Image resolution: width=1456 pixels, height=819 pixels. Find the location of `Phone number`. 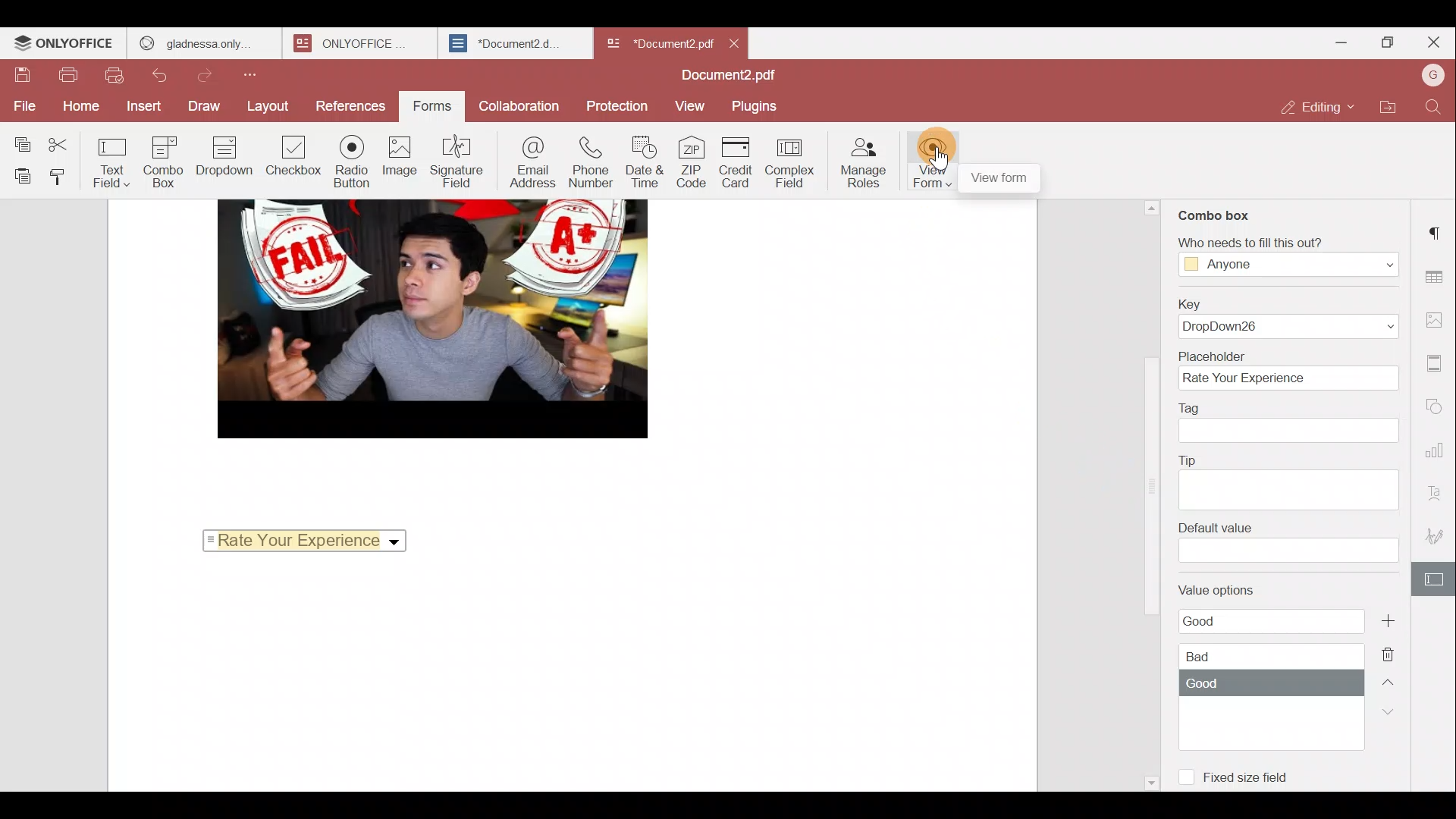

Phone number is located at coordinates (591, 164).